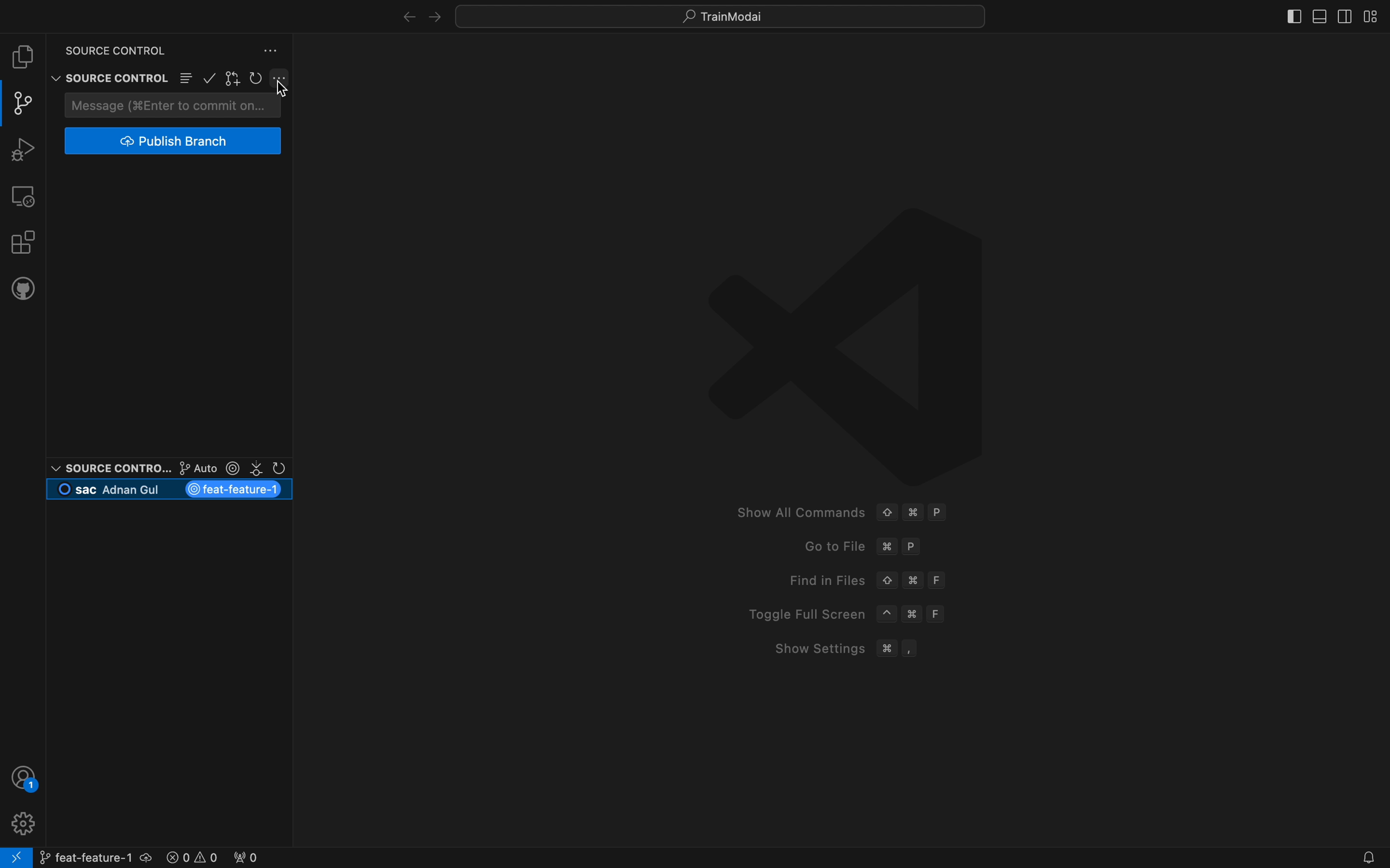 The height and width of the screenshot is (868, 1390). I want to click on Command, so click(886, 648).